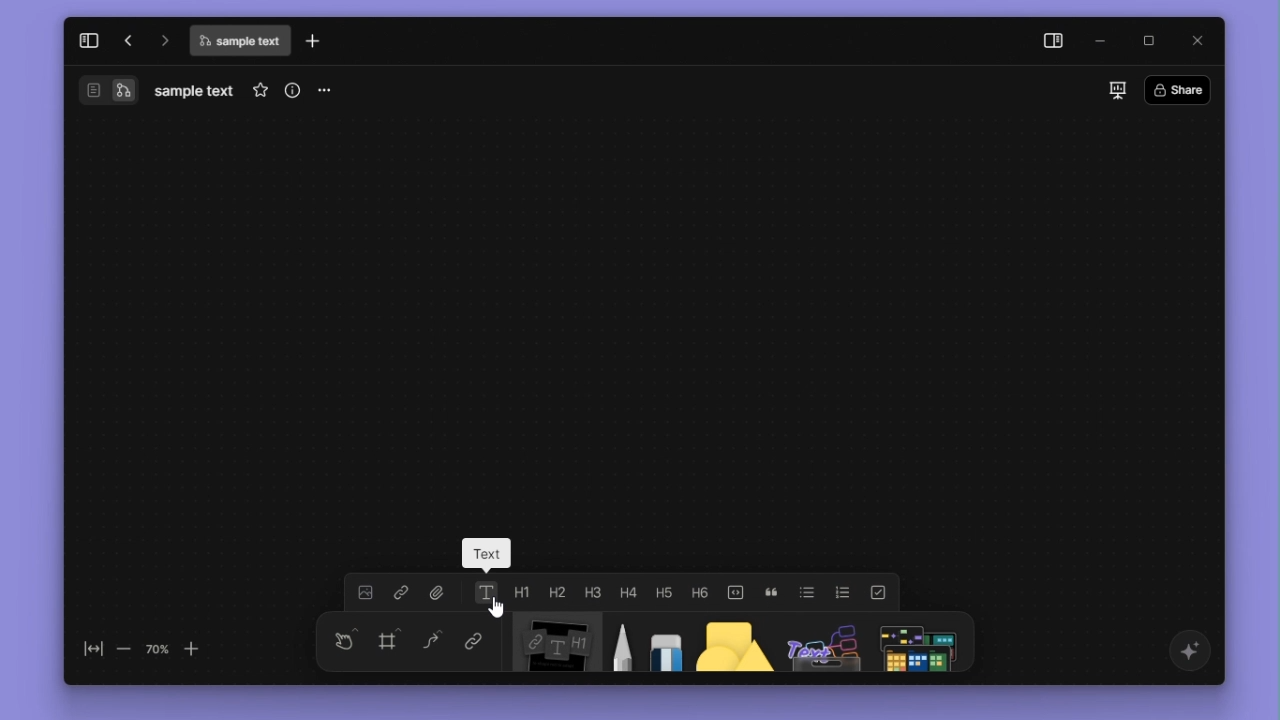  Describe the element at coordinates (87, 38) in the screenshot. I see `expand sidebar` at that location.